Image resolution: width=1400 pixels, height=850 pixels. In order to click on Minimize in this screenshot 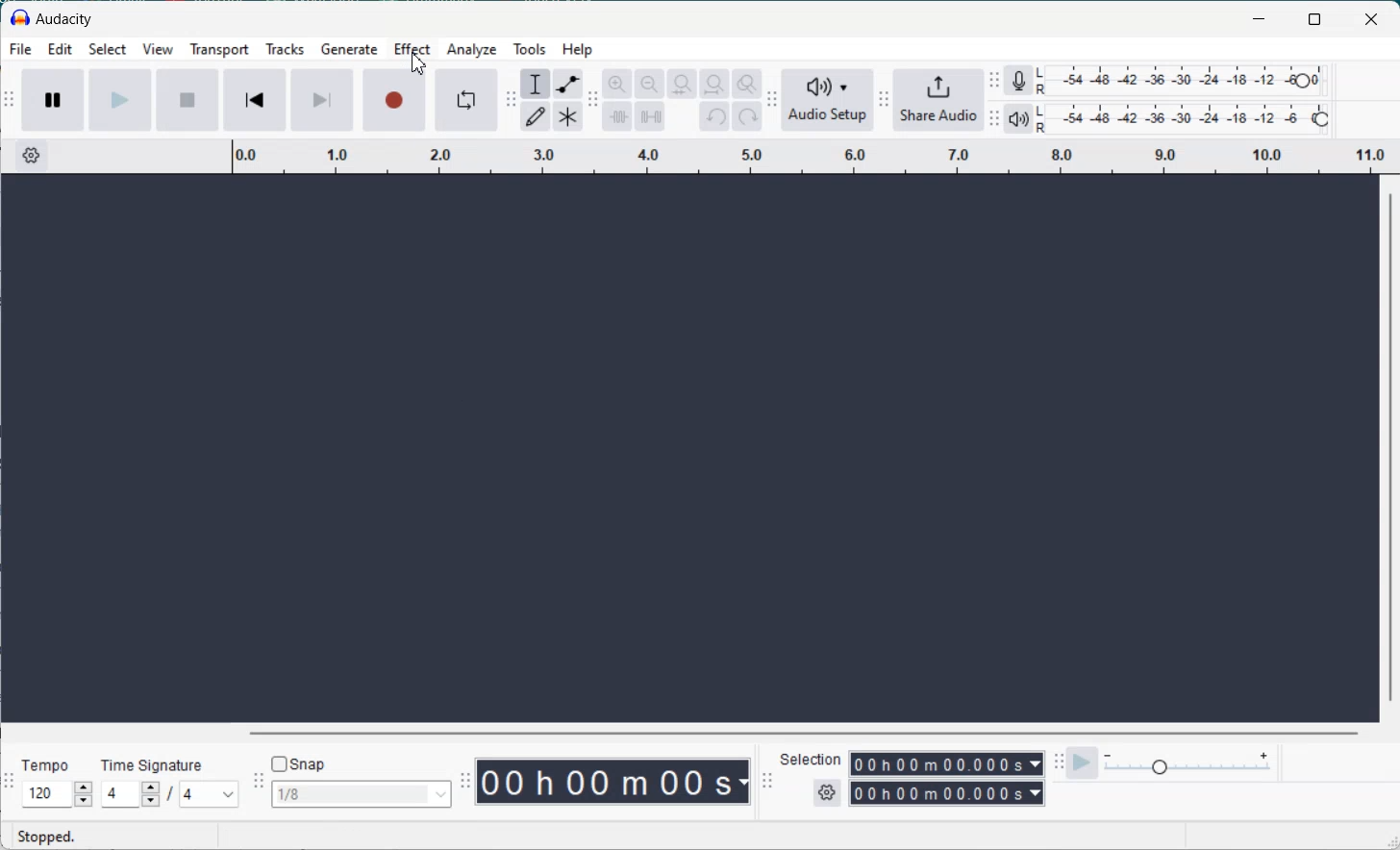, I will do `click(1259, 18)`.